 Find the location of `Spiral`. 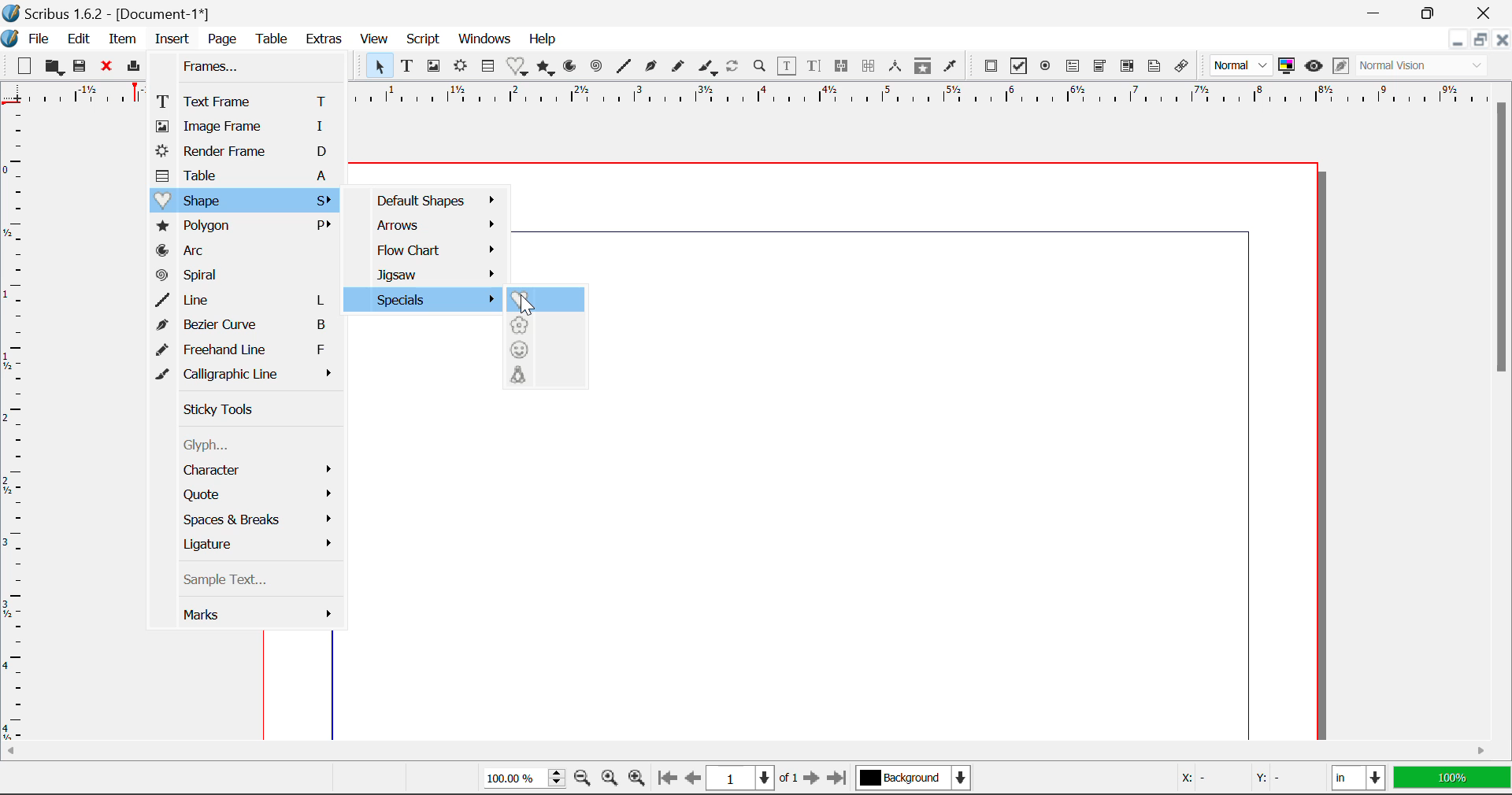

Spiral is located at coordinates (249, 277).